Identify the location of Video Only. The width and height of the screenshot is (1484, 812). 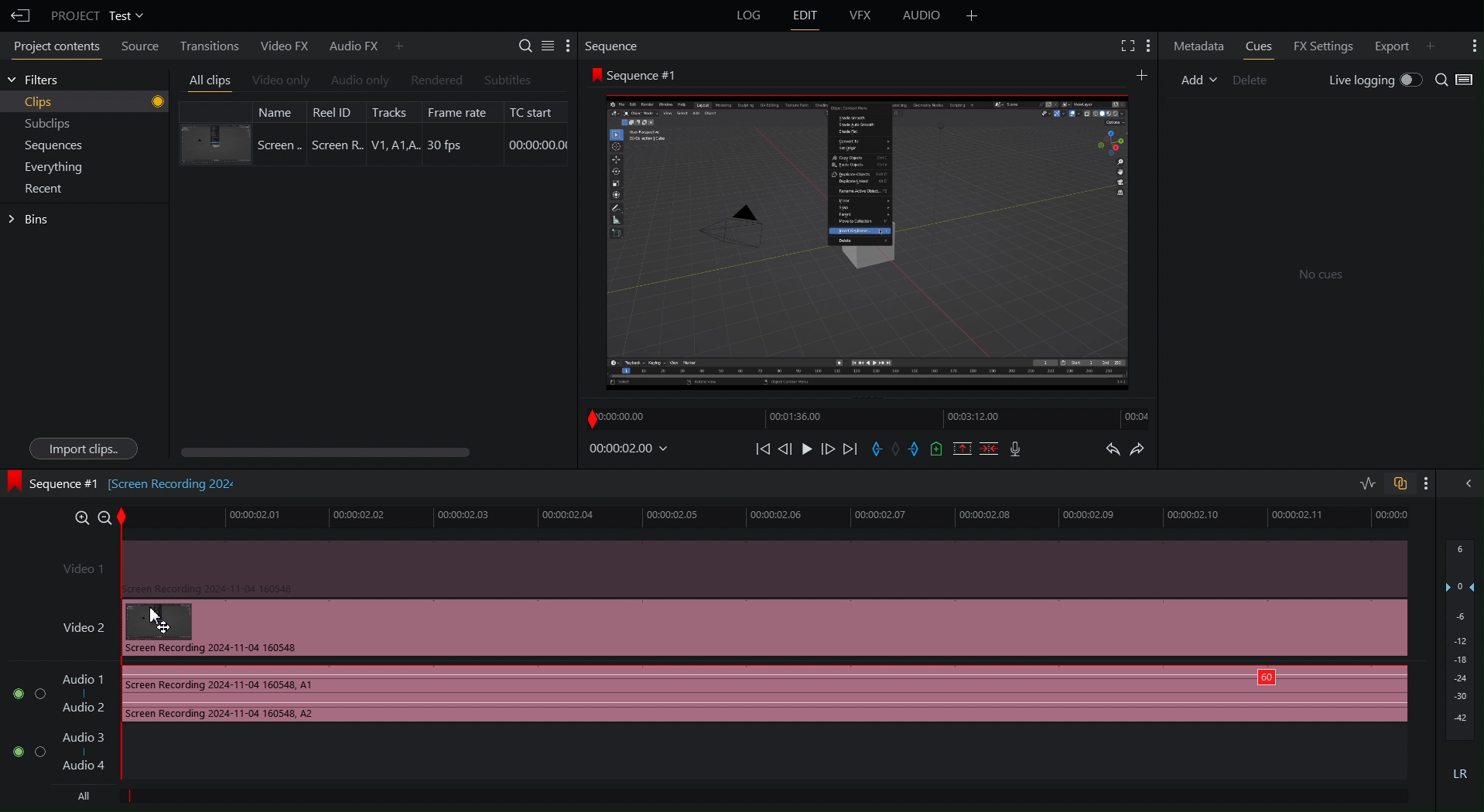
(281, 79).